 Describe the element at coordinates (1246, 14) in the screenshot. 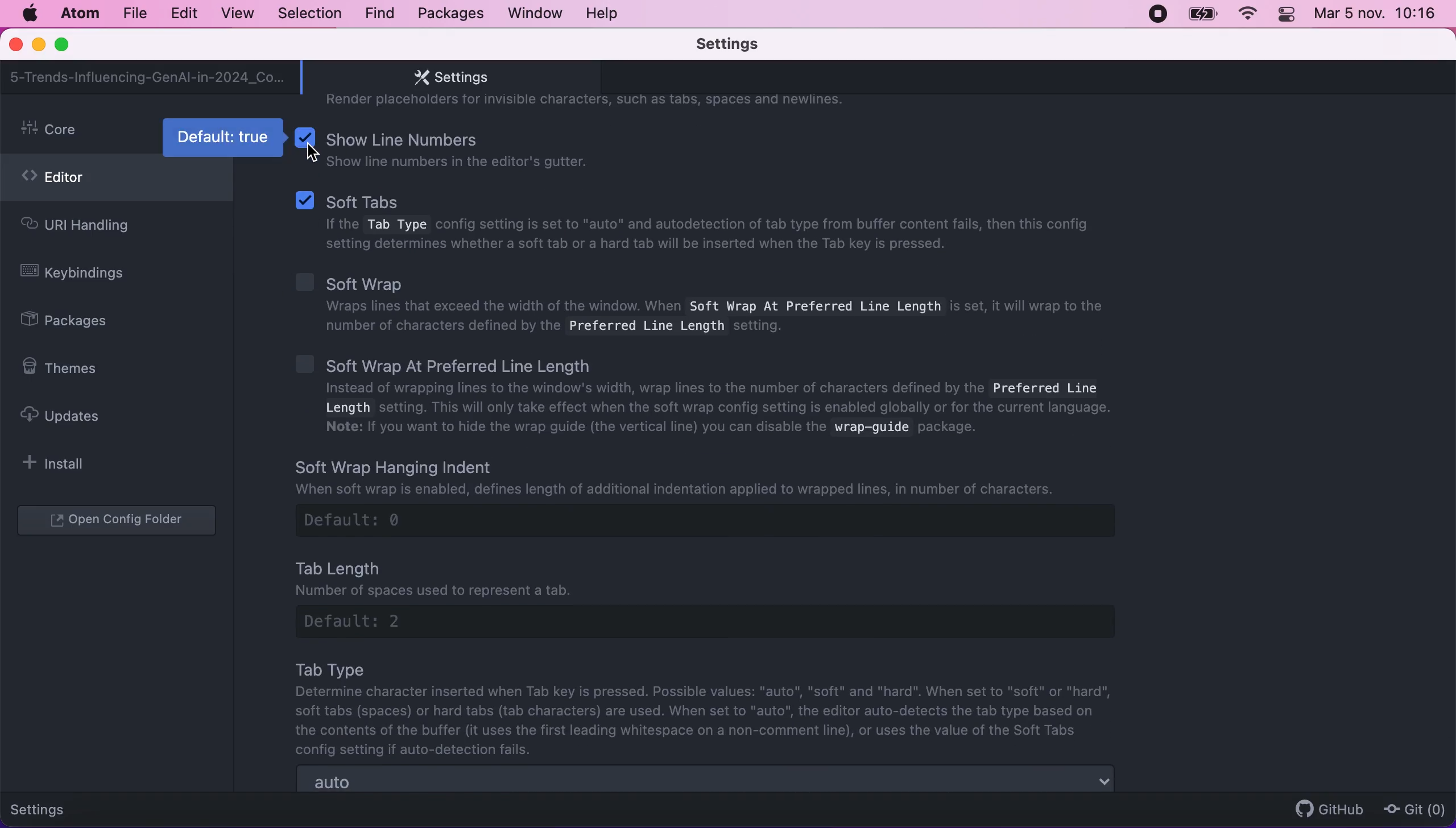

I see `wifi` at that location.